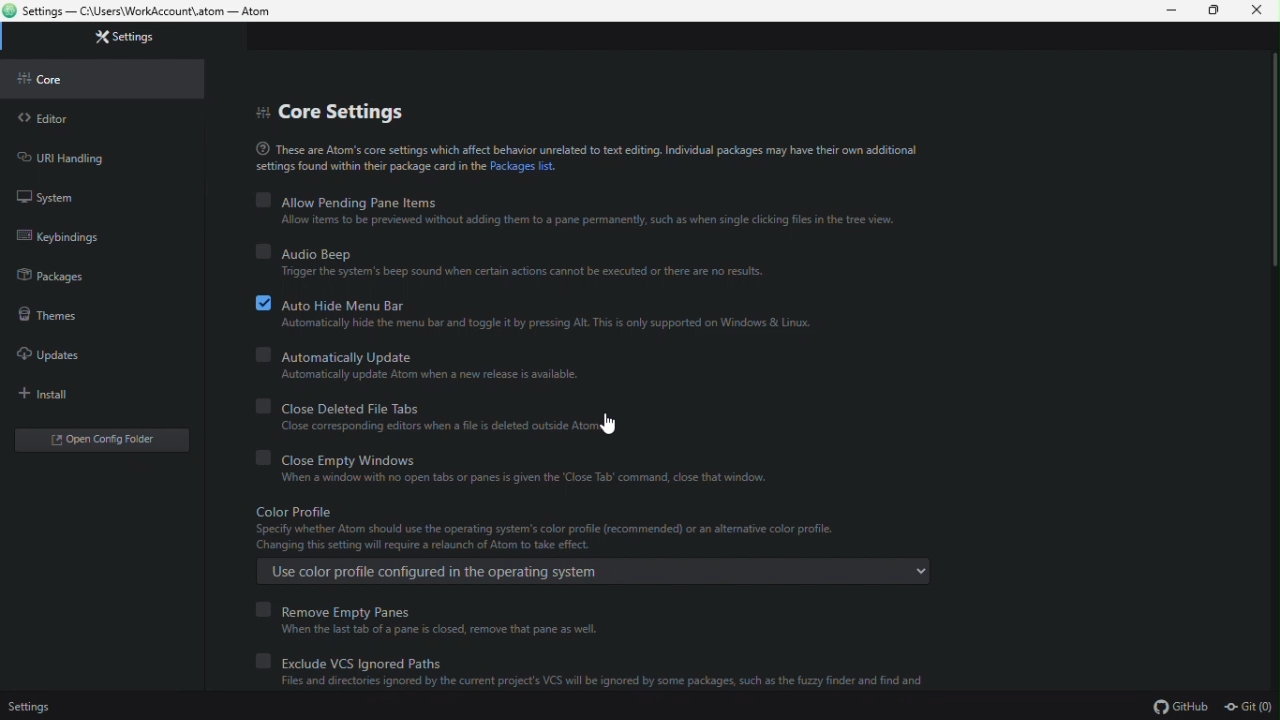 This screenshot has width=1280, height=720. I want to click on atom logo, so click(10, 10).